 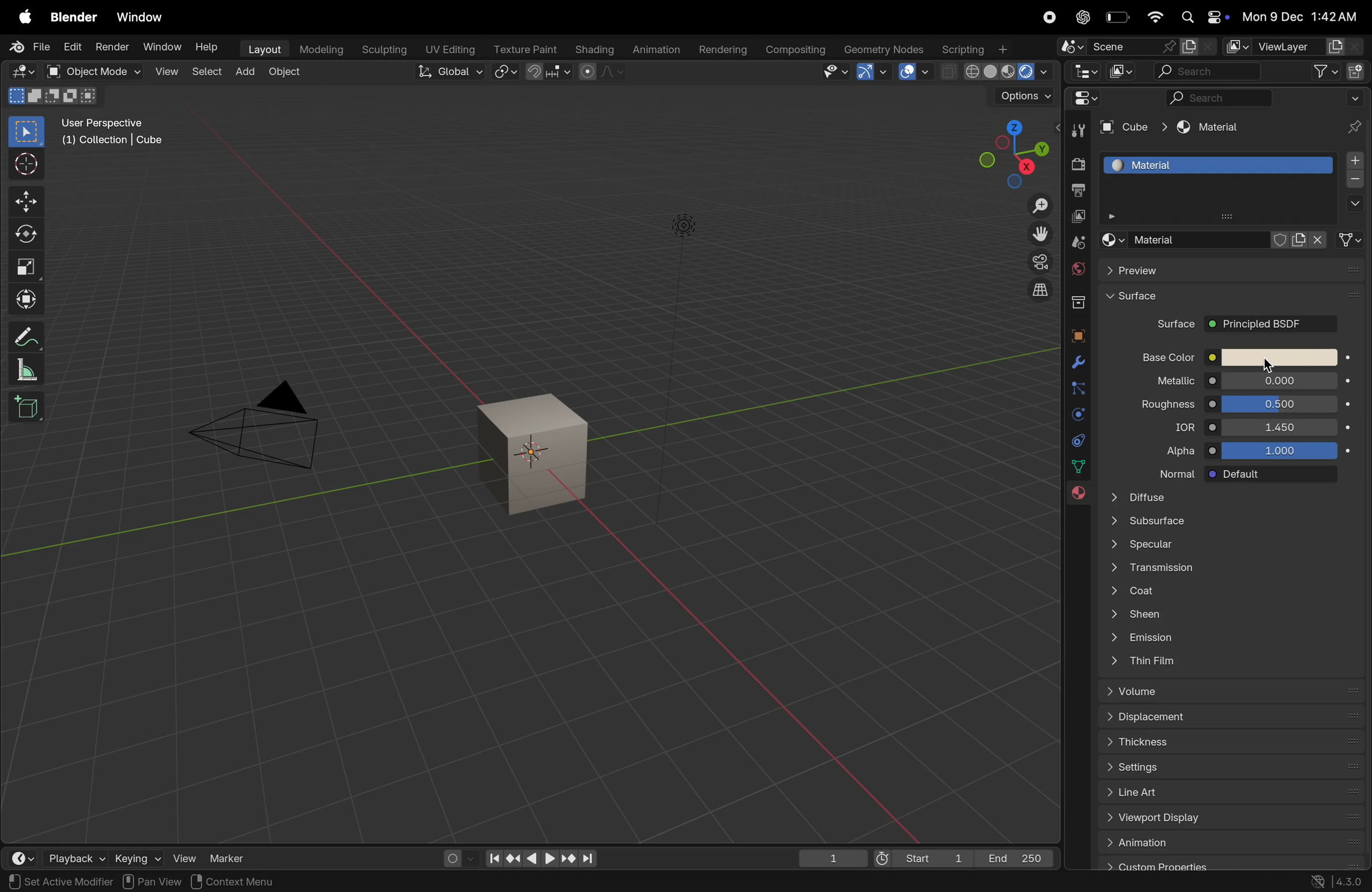 I want to click on modifier, so click(x=93, y=882).